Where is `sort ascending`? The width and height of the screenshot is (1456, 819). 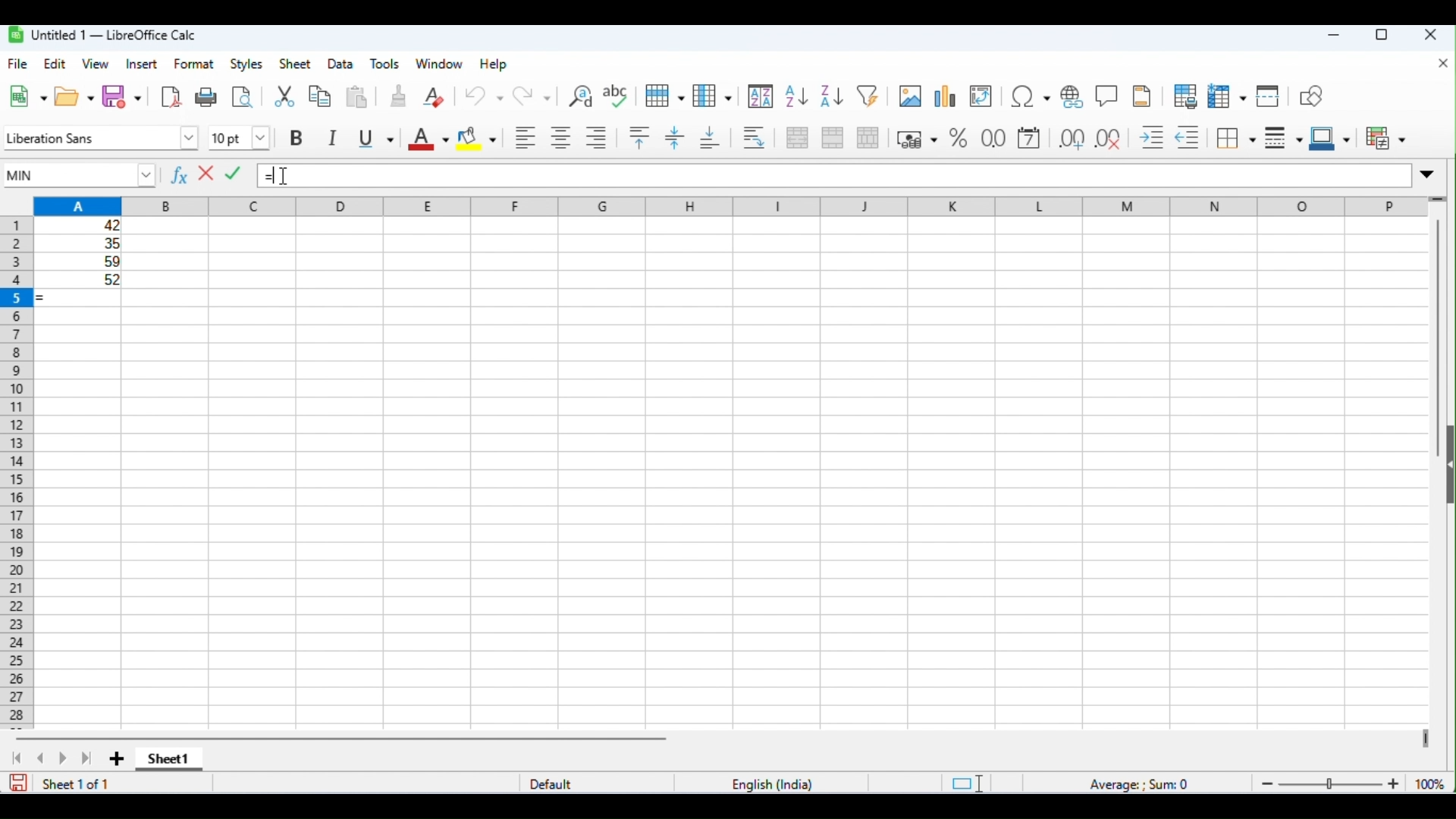 sort ascending is located at coordinates (797, 96).